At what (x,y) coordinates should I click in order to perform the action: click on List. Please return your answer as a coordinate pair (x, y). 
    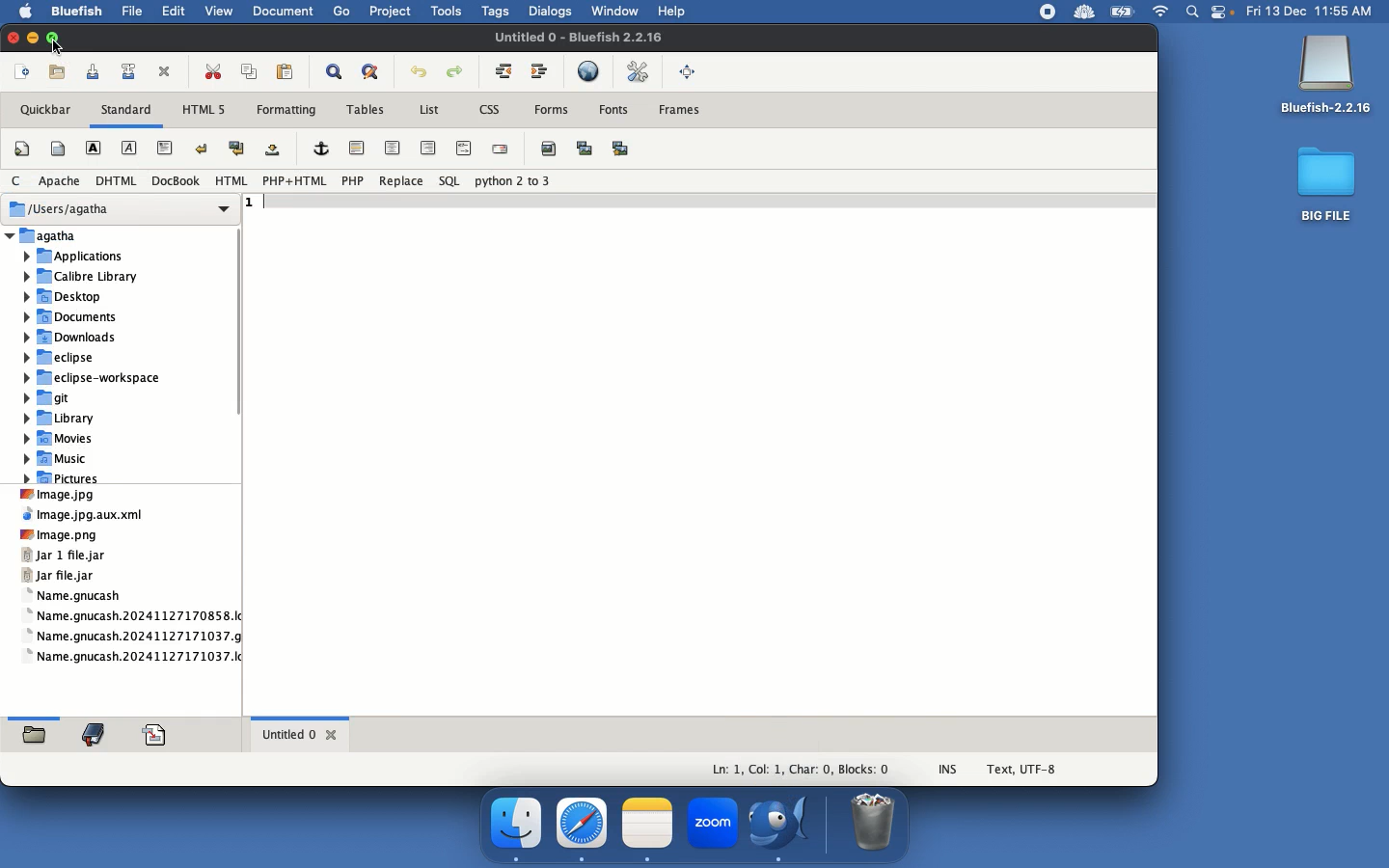
    Looking at the image, I should click on (427, 110).